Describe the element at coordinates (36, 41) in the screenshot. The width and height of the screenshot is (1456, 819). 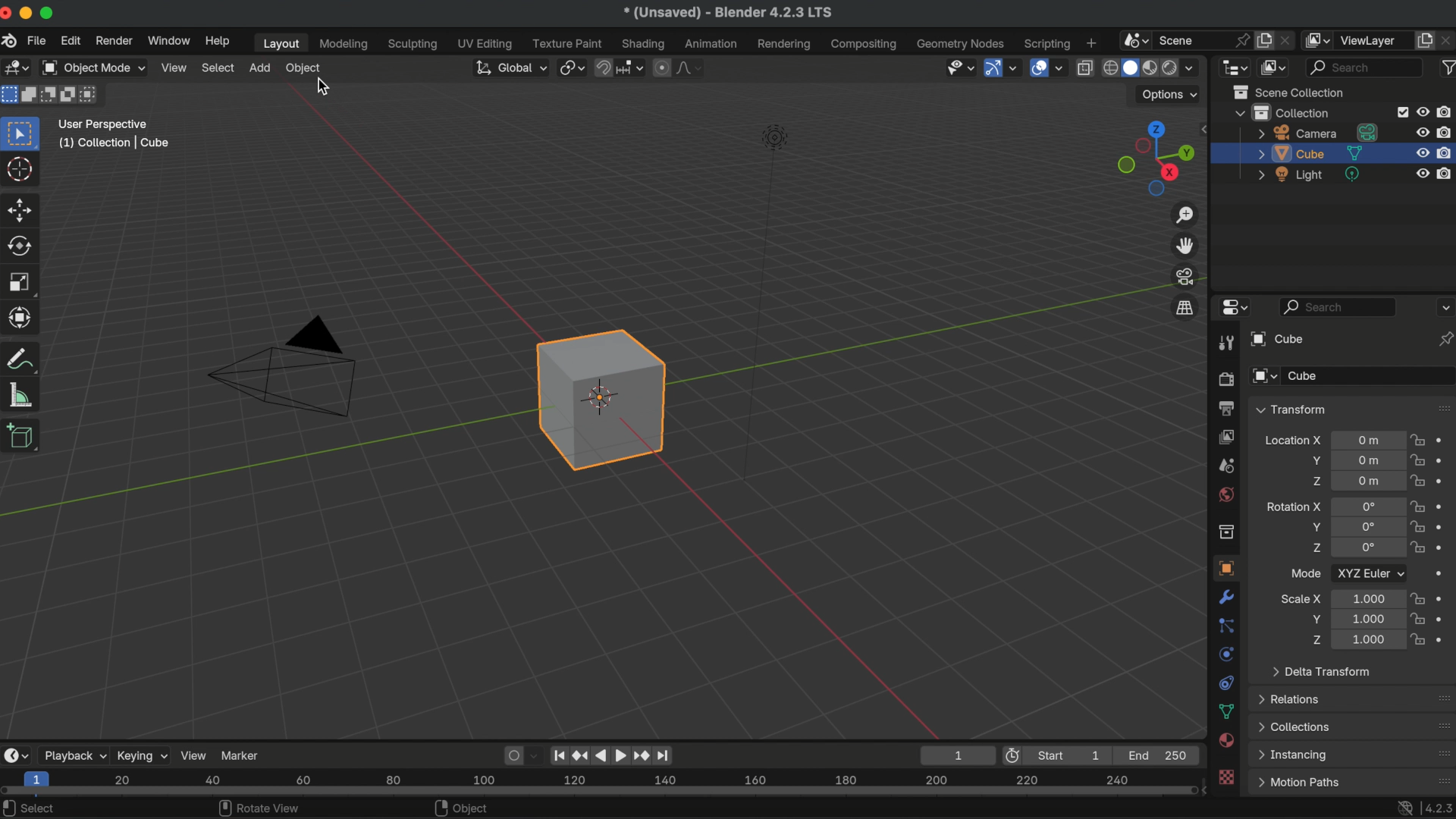
I see `file` at that location.